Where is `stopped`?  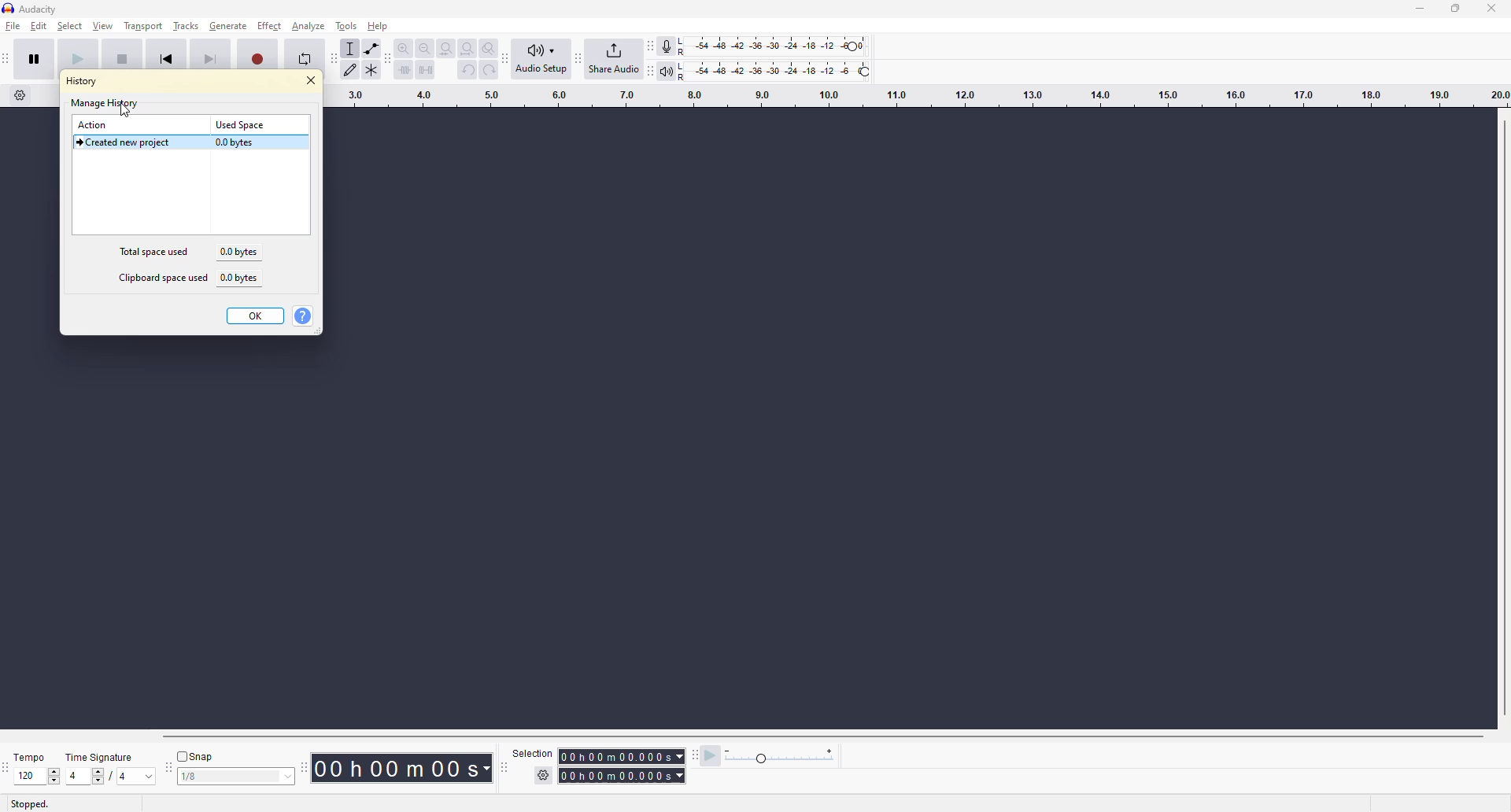 stopped is located at coordinates (30, 804).